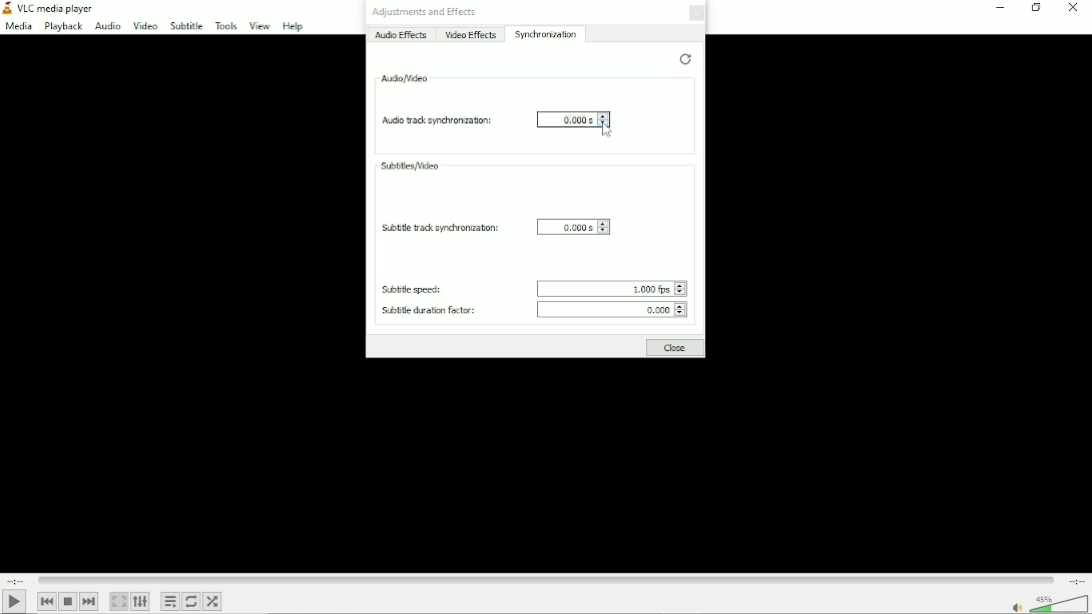 The image size is (1092, 614). I want to click on adjust Subtitle speed, so click(681, 289).